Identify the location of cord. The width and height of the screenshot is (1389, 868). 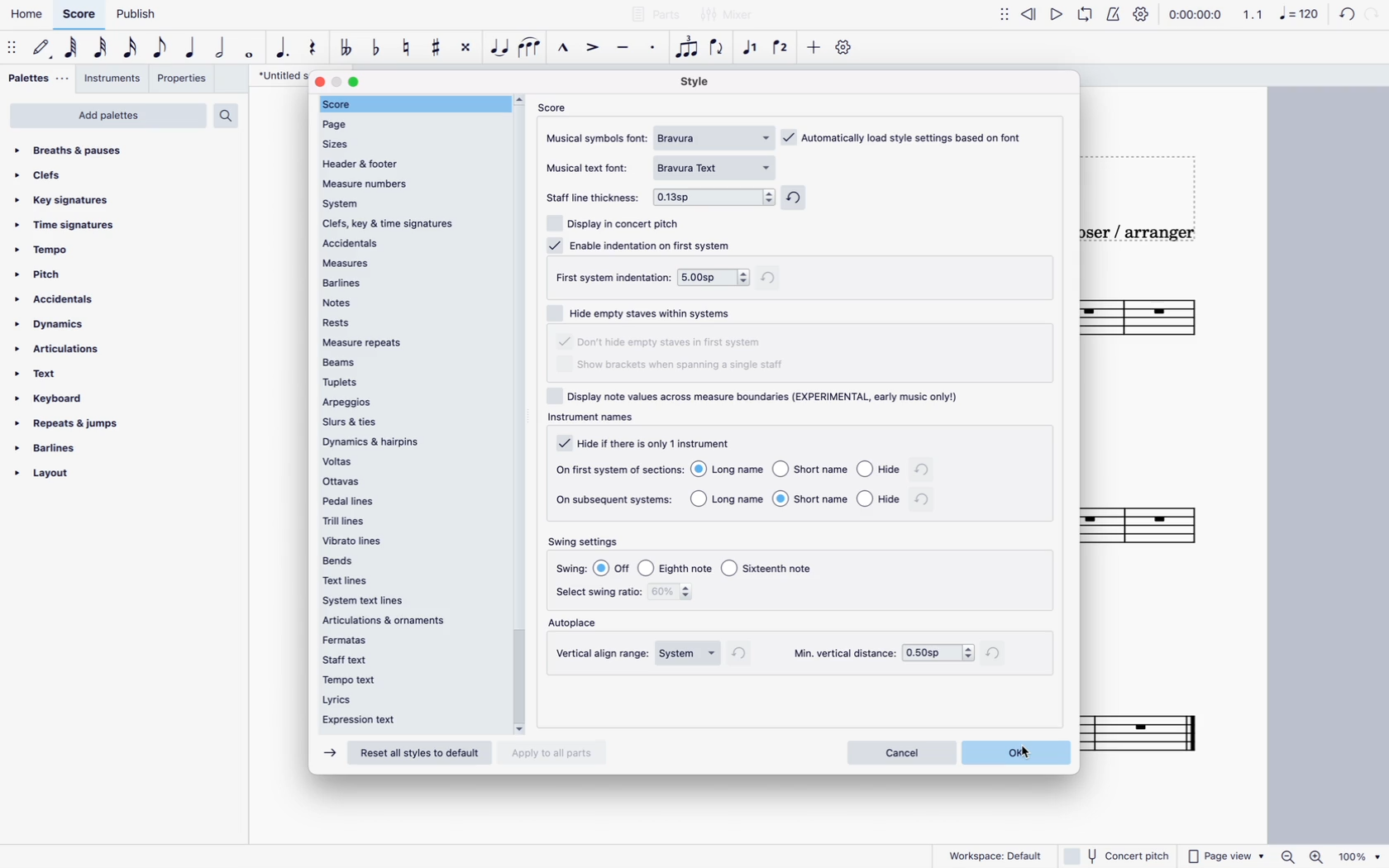
(1333, 12).